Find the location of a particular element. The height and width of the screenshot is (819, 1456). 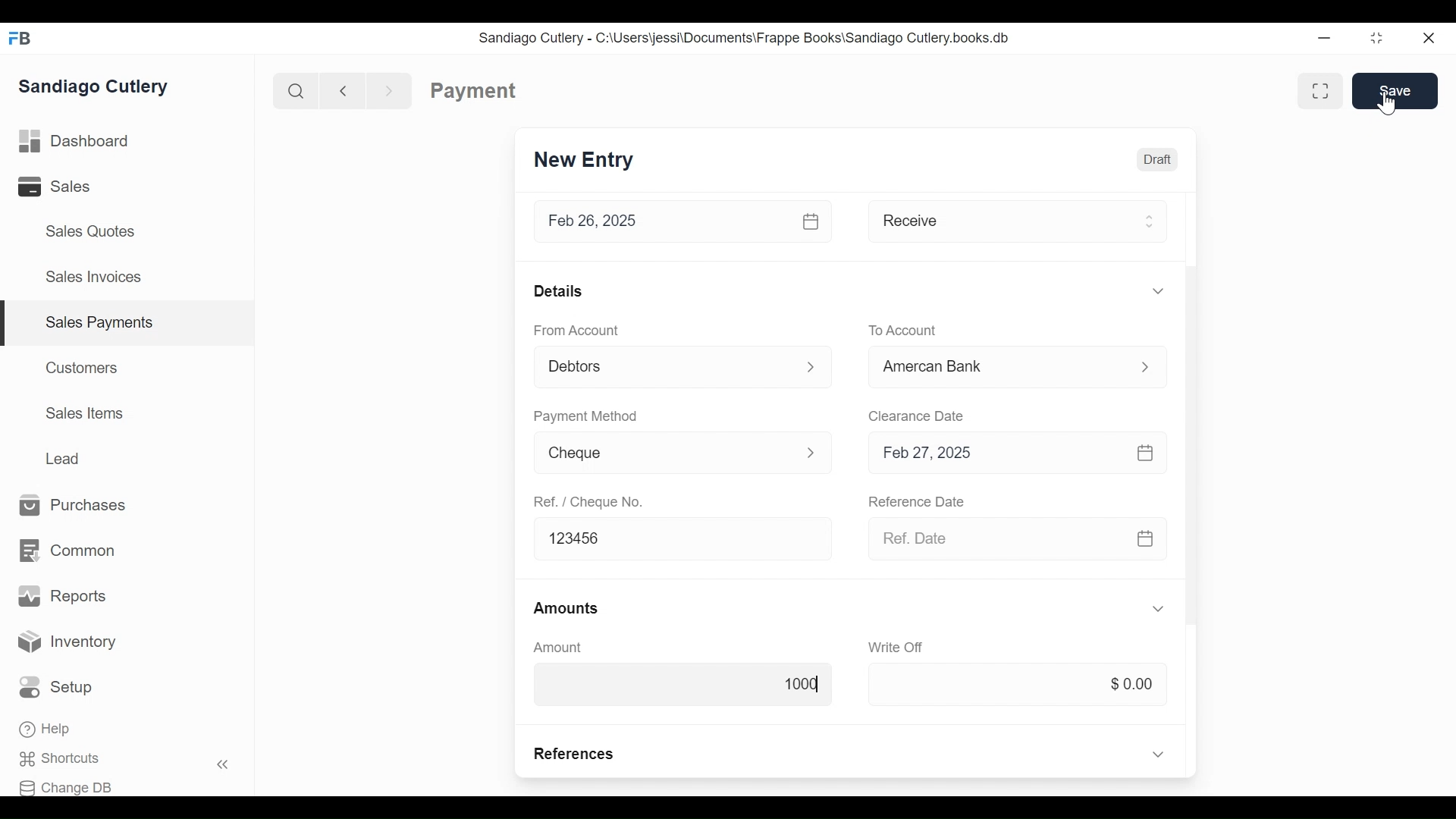

From Account is located at coordinates (575, 329).